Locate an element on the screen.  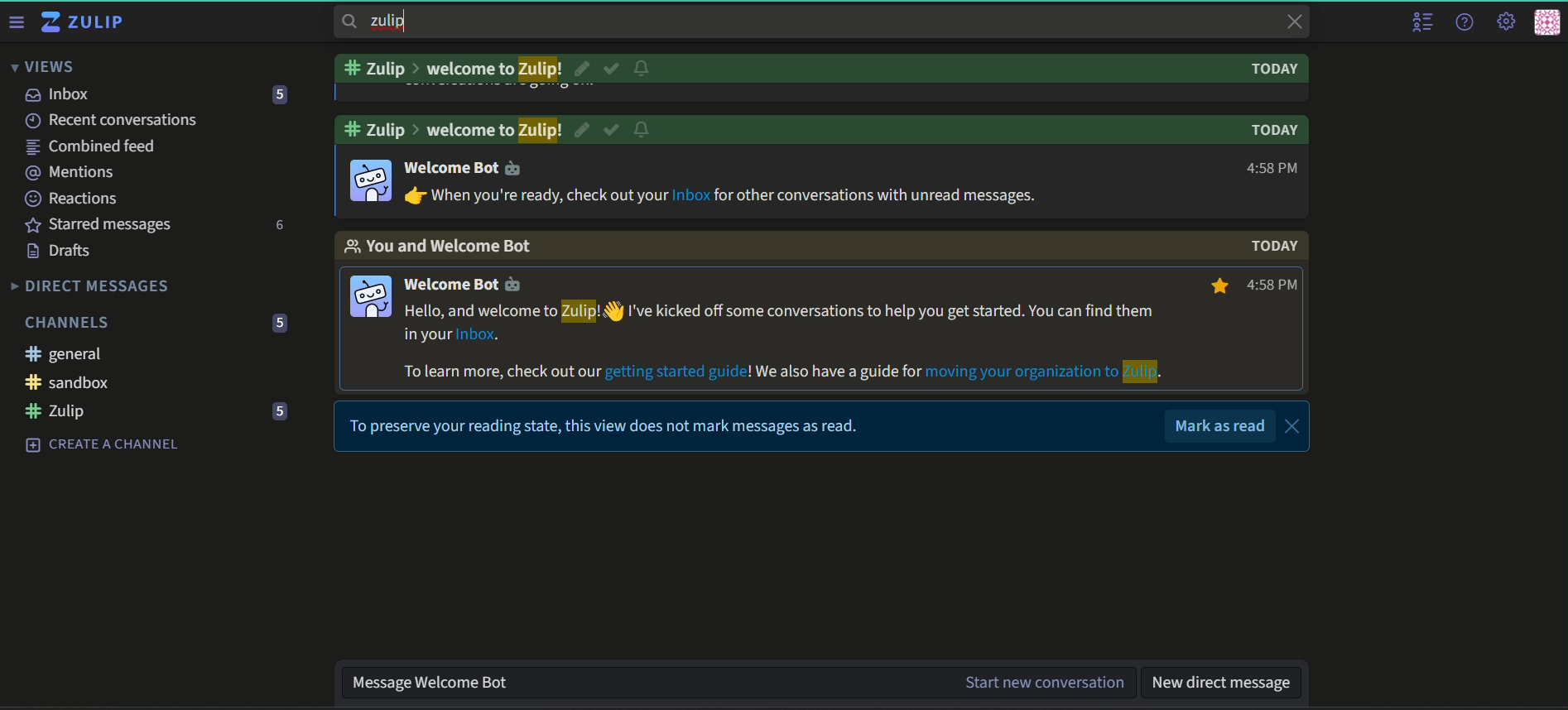
text is located at coordinates (1275, 70).